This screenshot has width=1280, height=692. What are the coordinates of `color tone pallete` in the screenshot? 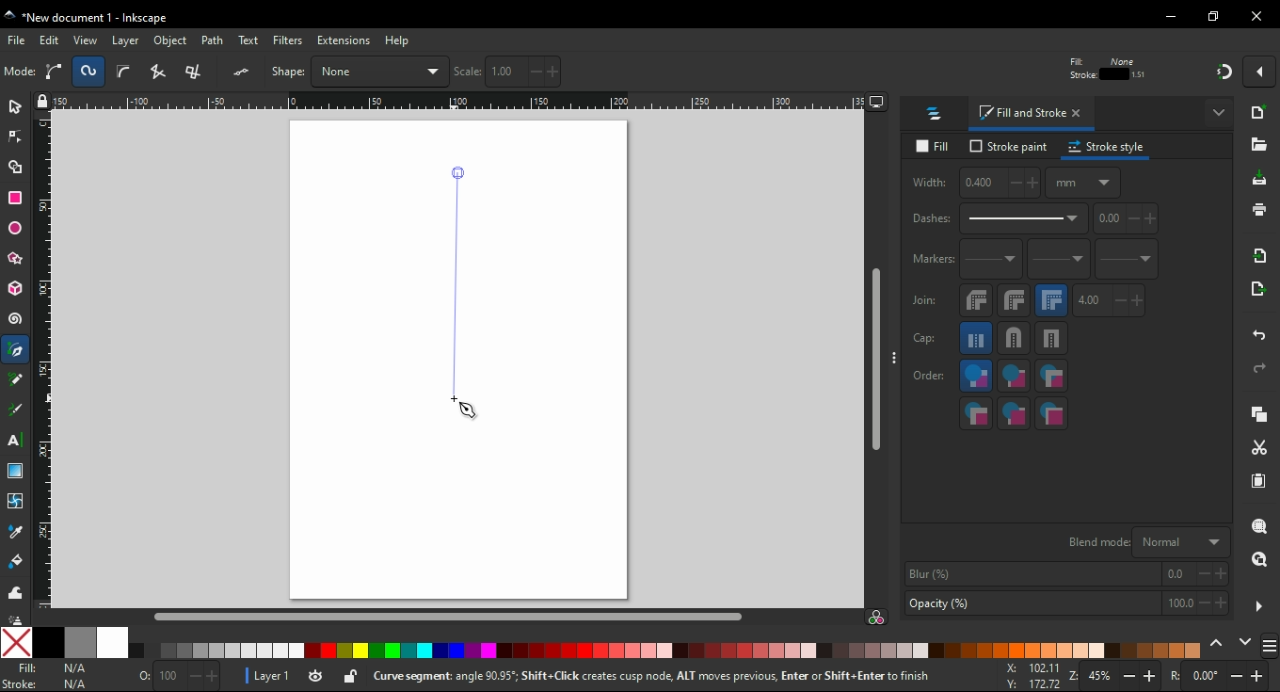 It's located at (1166, 649).